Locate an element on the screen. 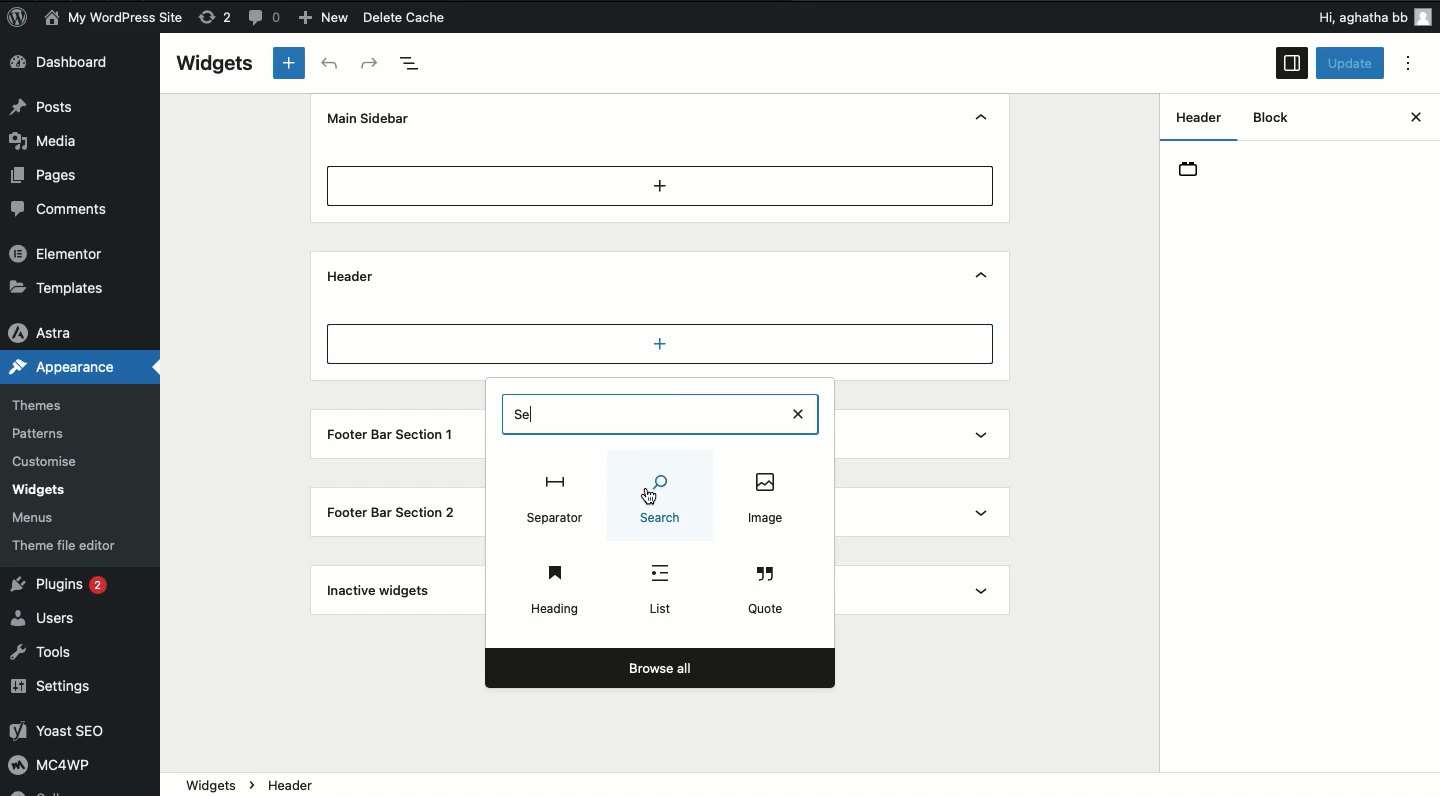 The image size is (1440, 796). Theme file editor is located at coordinates (65, 541).